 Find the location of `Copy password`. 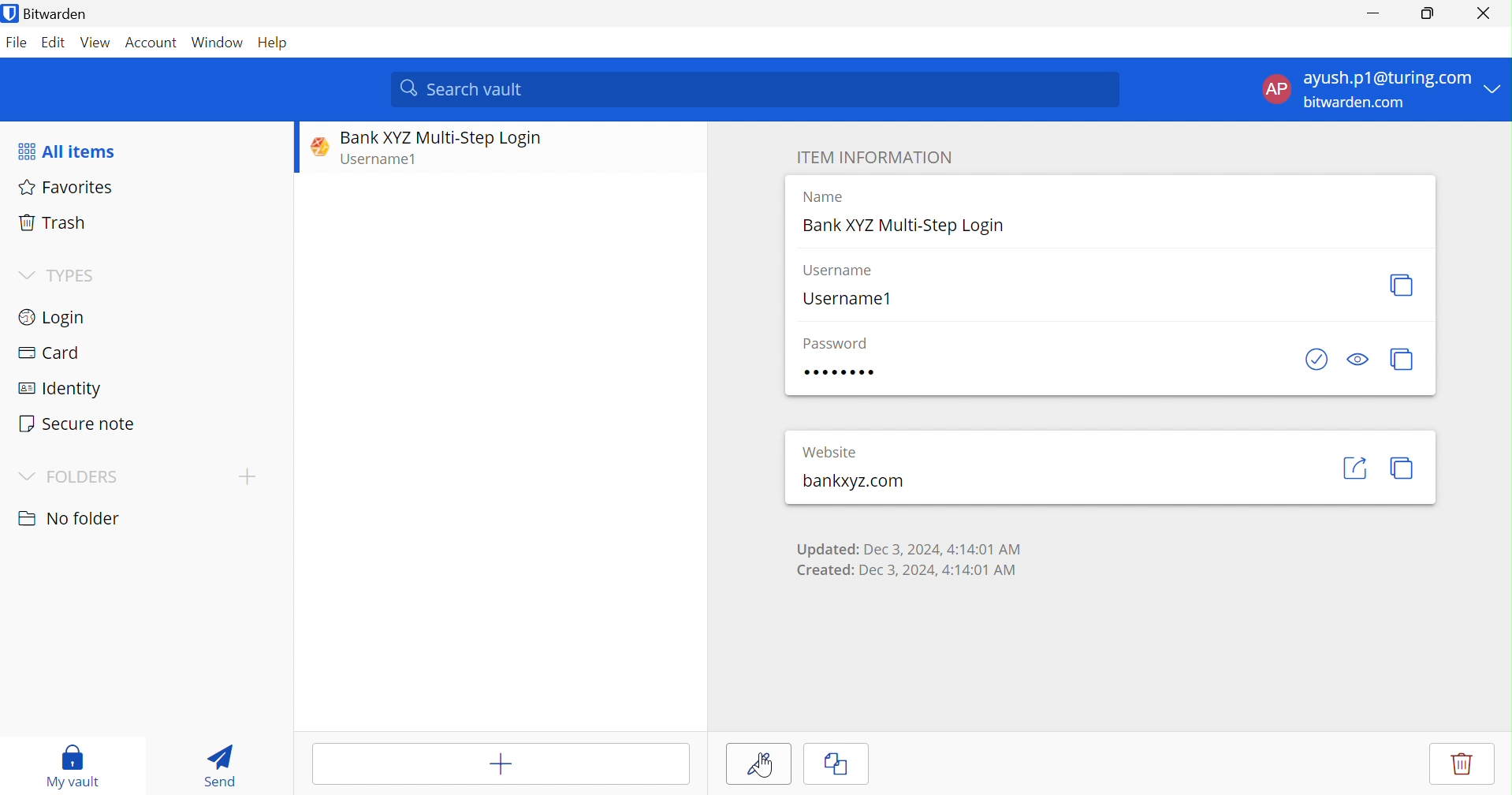

Copy password is located at coordinates (1405, 357).